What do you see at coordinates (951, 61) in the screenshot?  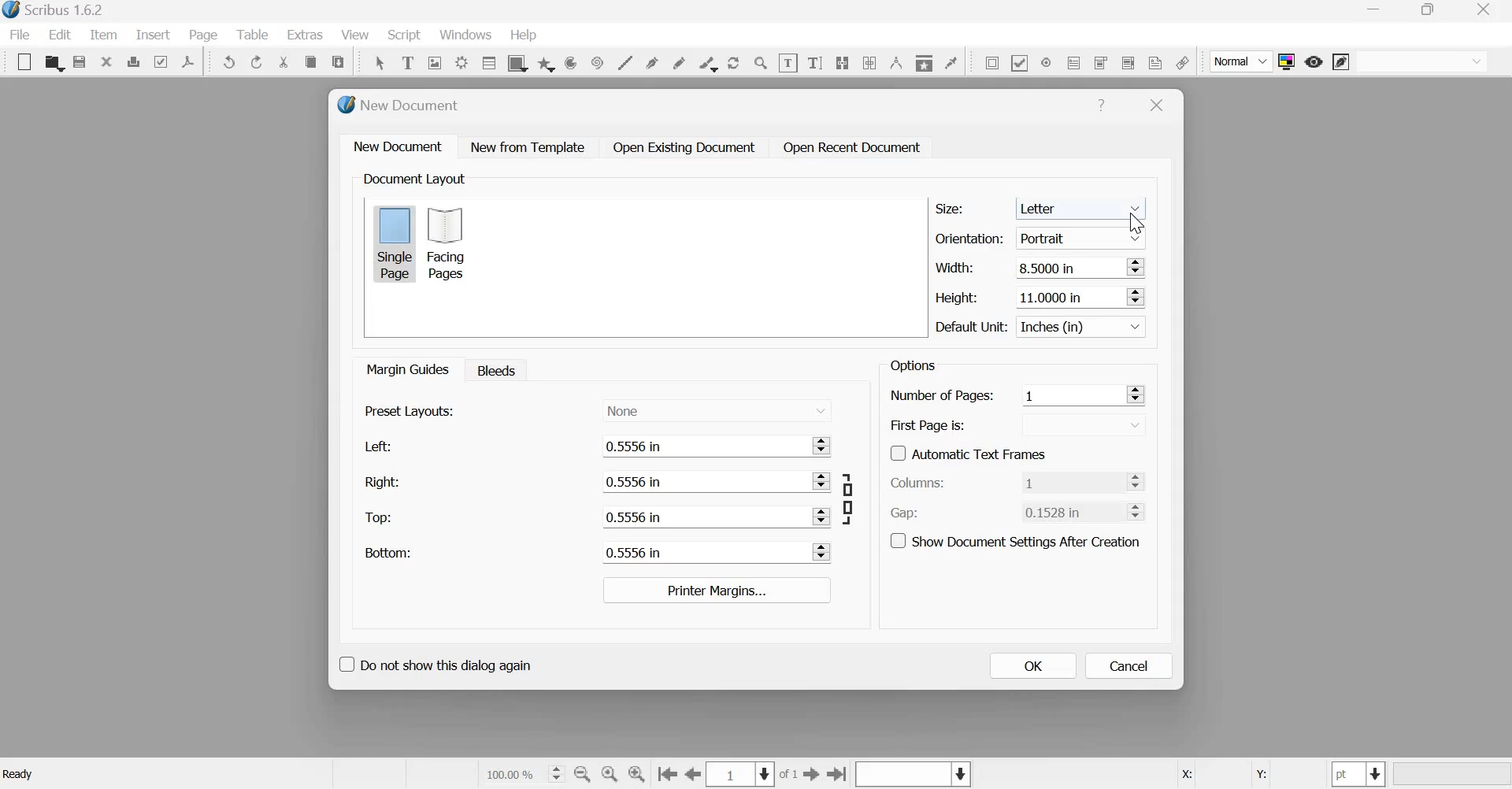 I see `Eye dropper` at bounding box center [951, 61].